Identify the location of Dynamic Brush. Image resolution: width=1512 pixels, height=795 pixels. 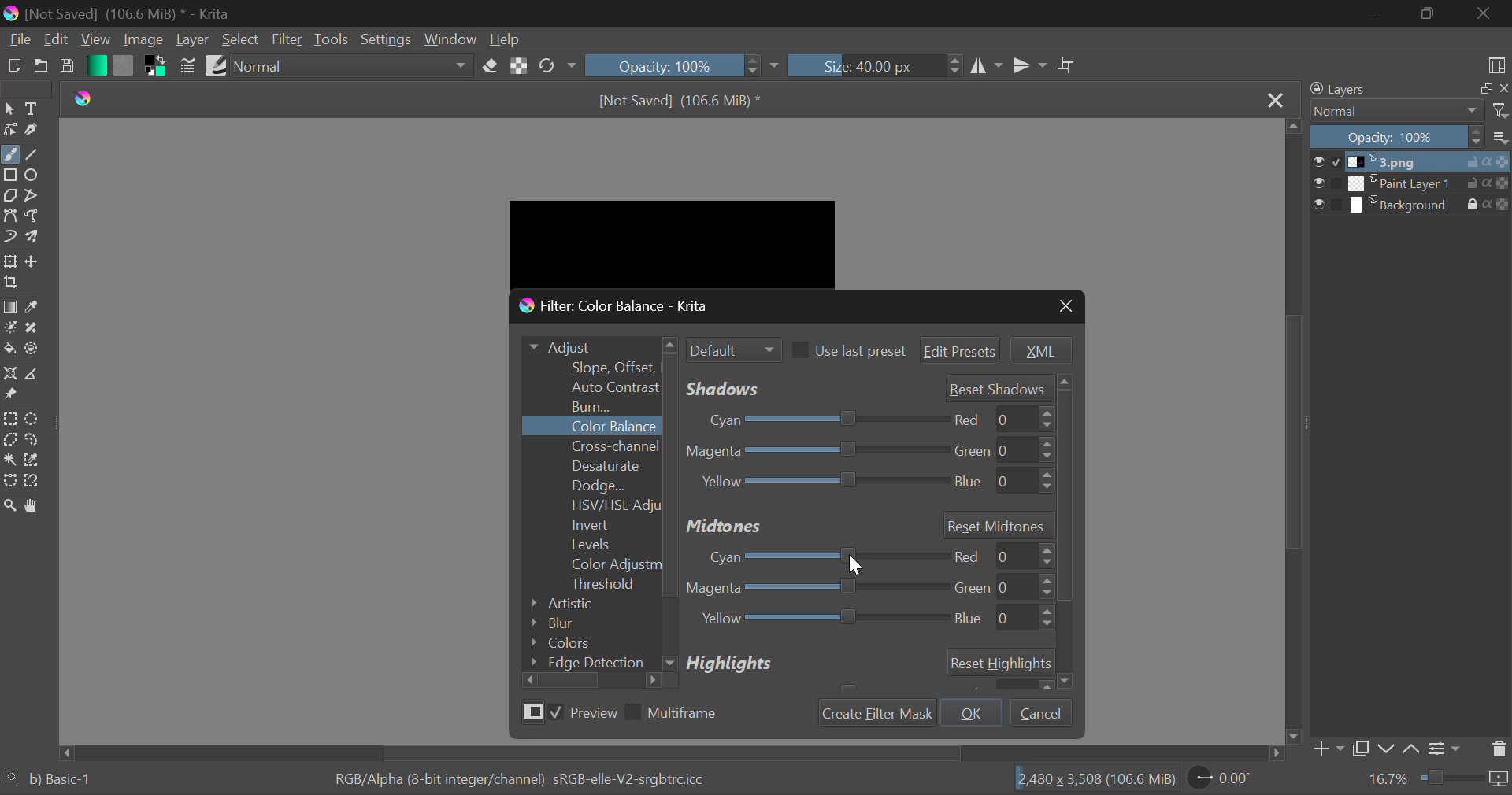
(10, 238).